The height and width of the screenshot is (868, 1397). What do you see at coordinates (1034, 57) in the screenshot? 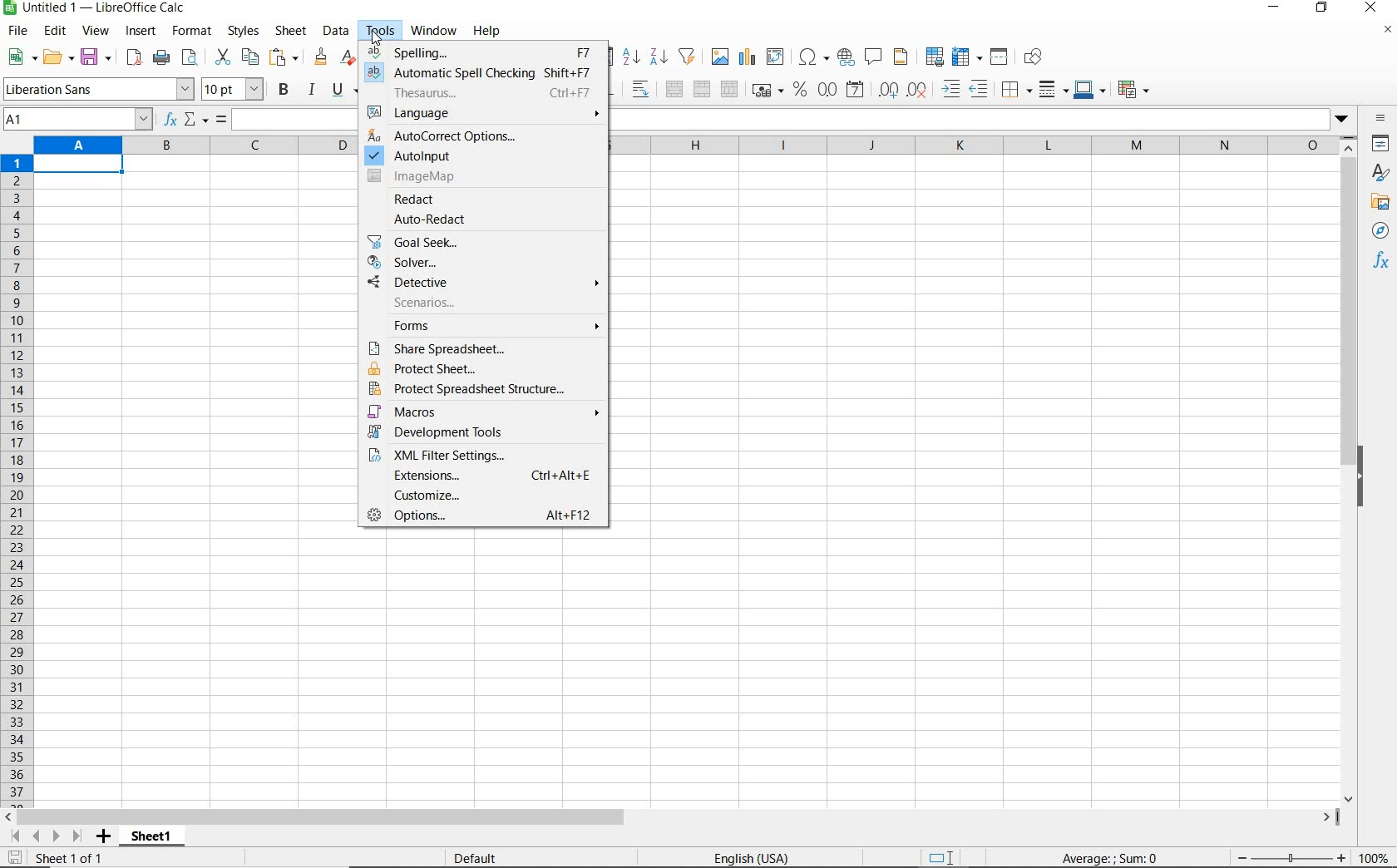
I see `show draw functions` at bounding box center [1034, 57].